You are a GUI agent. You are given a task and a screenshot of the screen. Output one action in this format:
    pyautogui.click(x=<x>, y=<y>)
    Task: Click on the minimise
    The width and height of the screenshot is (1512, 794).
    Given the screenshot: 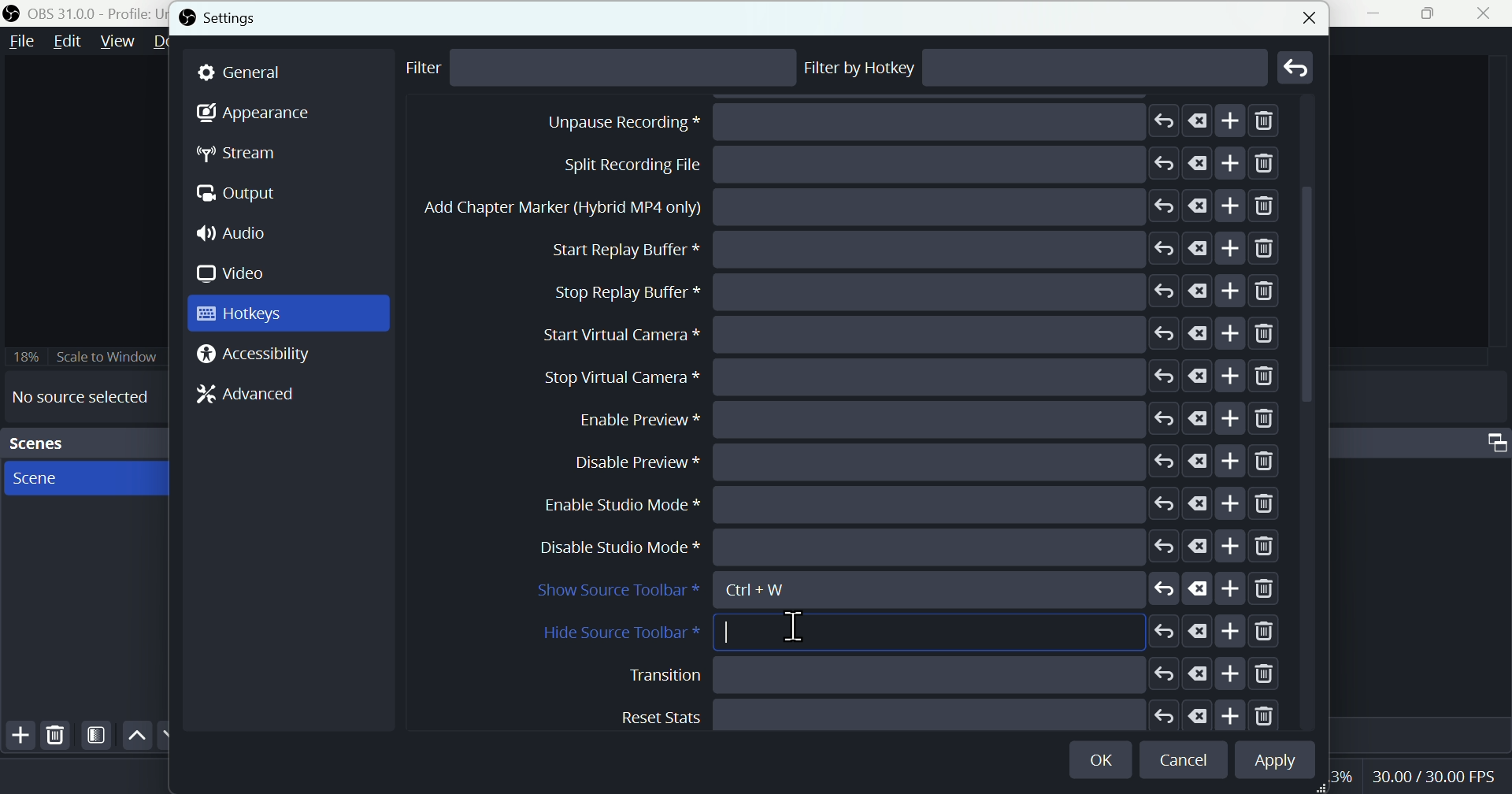 What is the action you would take?
    pyautogui.click(x=1380, y=13)
    